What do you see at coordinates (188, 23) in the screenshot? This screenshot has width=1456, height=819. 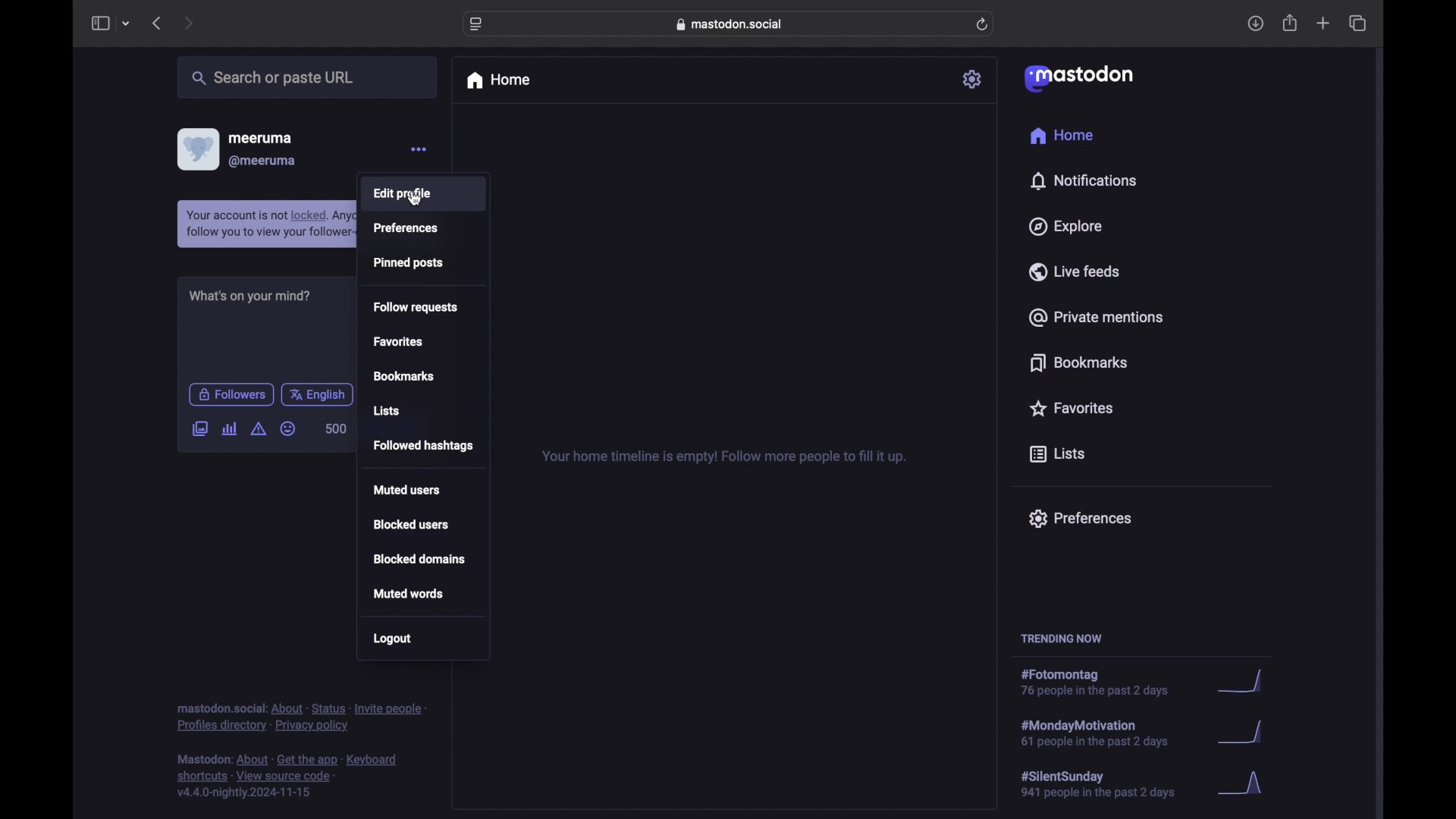 I see `next` at bounding box center [188, 23].